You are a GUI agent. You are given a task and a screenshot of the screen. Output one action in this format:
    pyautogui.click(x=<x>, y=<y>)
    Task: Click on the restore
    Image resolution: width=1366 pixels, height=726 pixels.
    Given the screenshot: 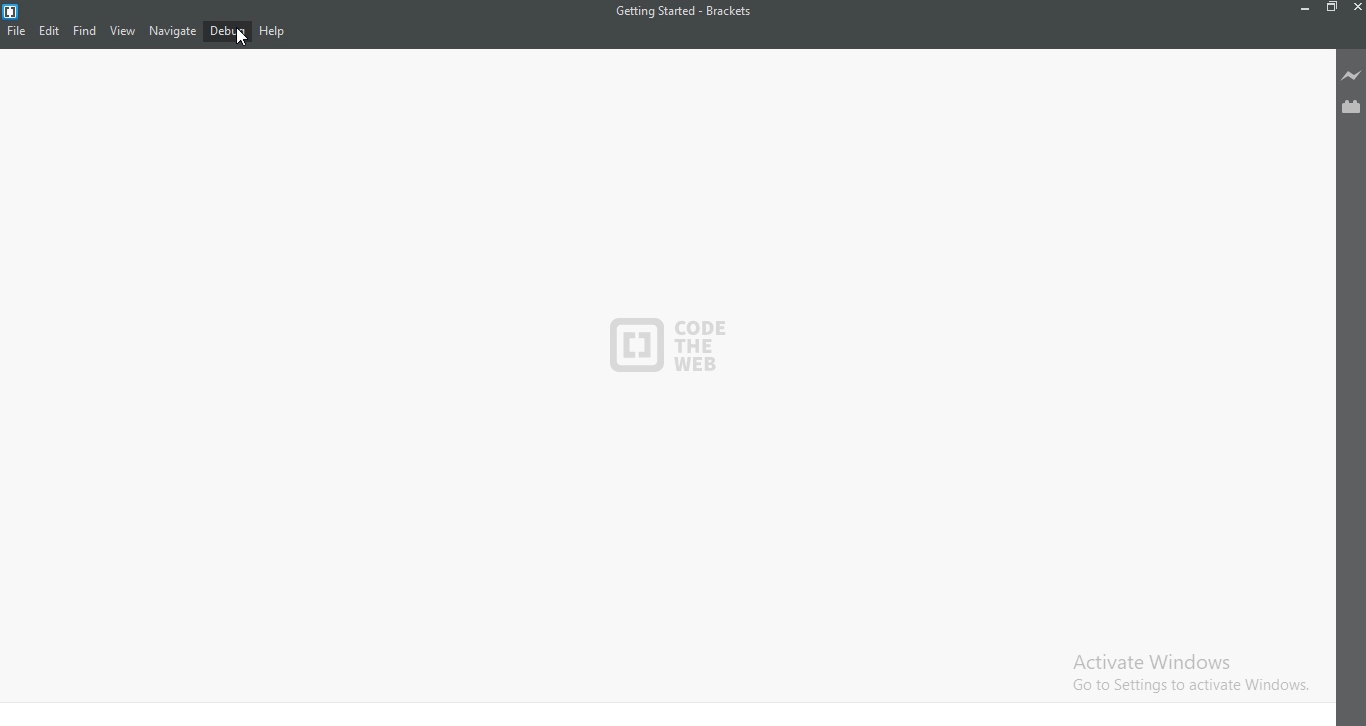 What is the action you would take?
    pyautogui.click(x=1330, y=11)
    